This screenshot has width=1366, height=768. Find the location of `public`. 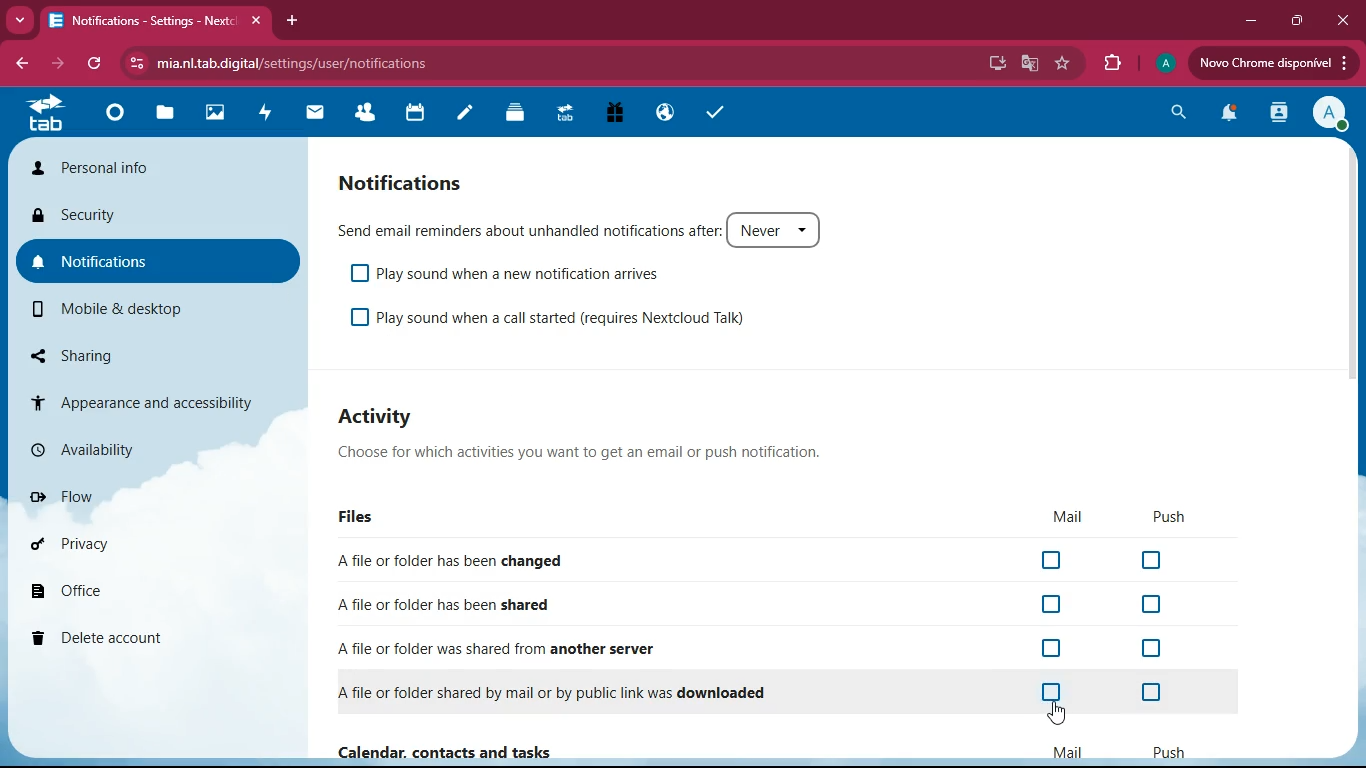

public is located at coordinates (662, 114).